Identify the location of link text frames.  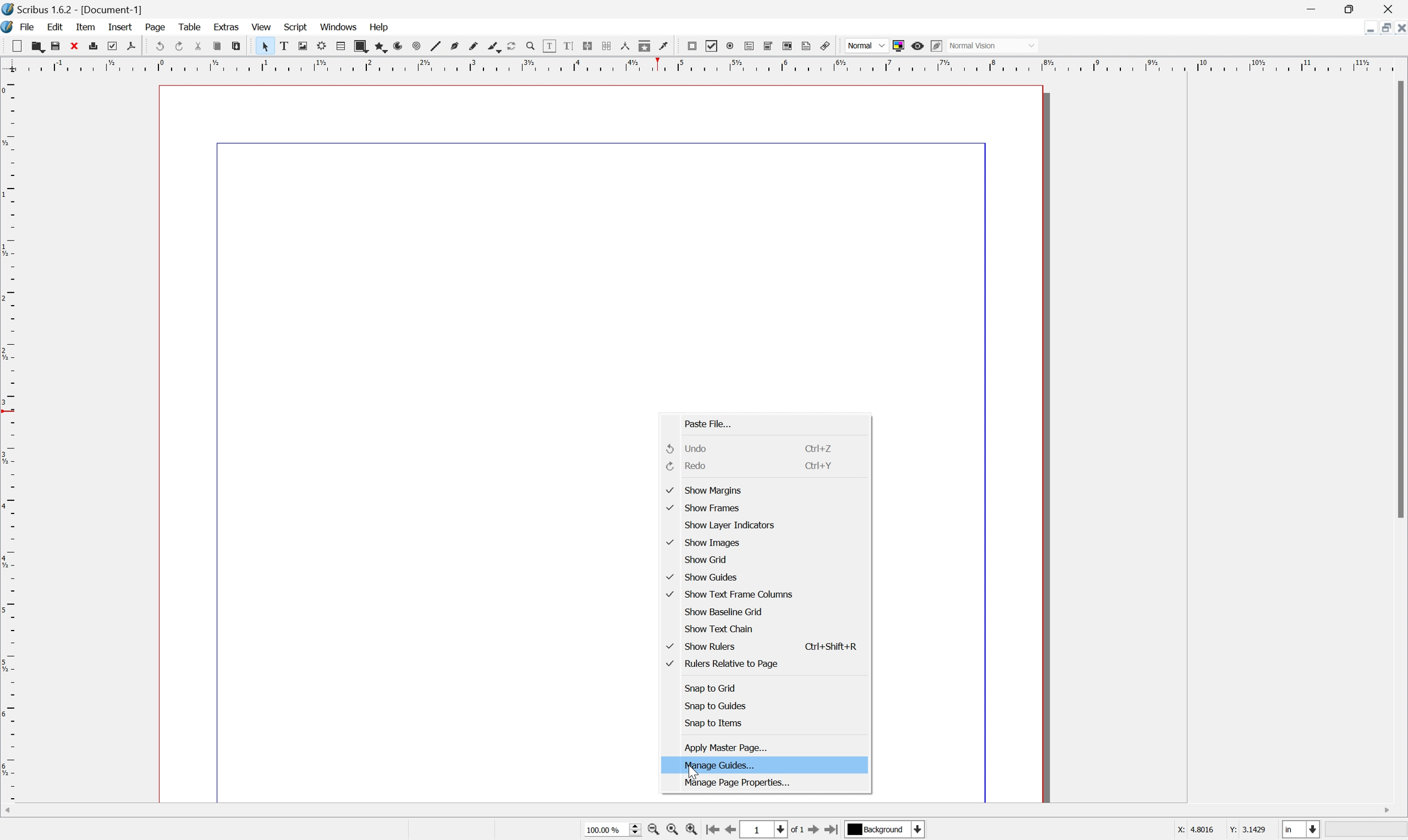
(588, 45).